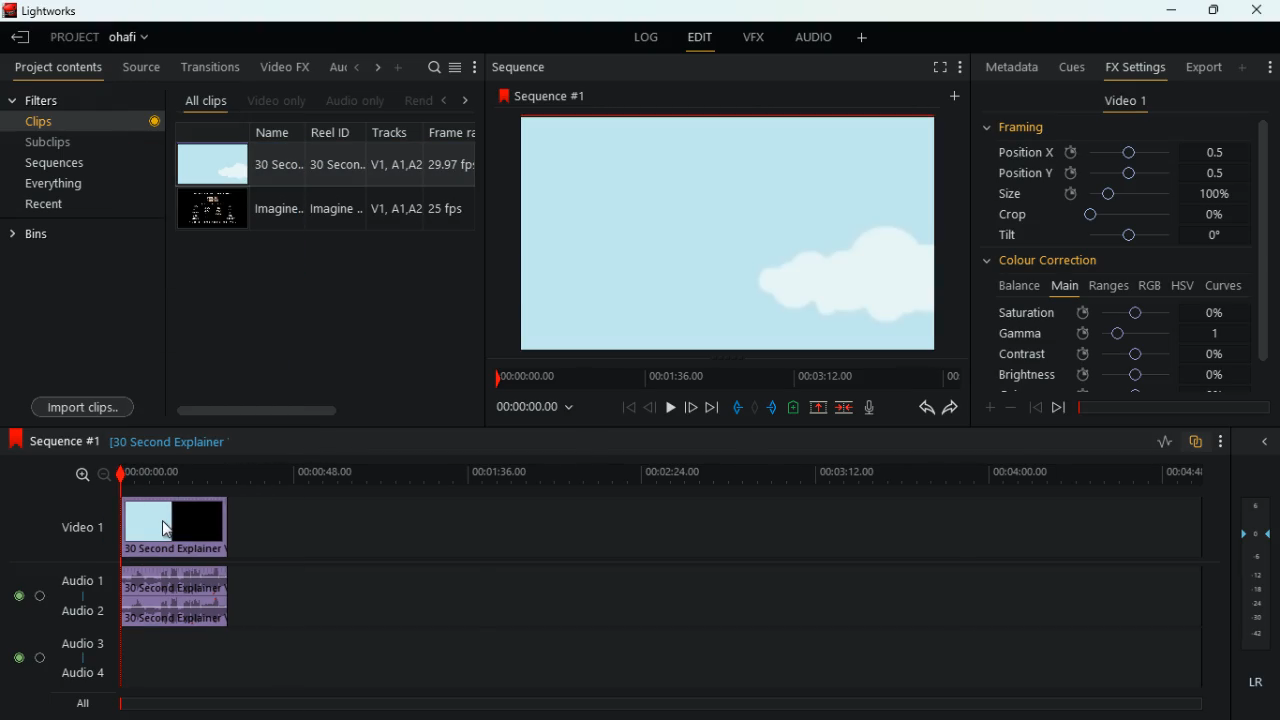  I want to click on minus, so click(1011, 407).